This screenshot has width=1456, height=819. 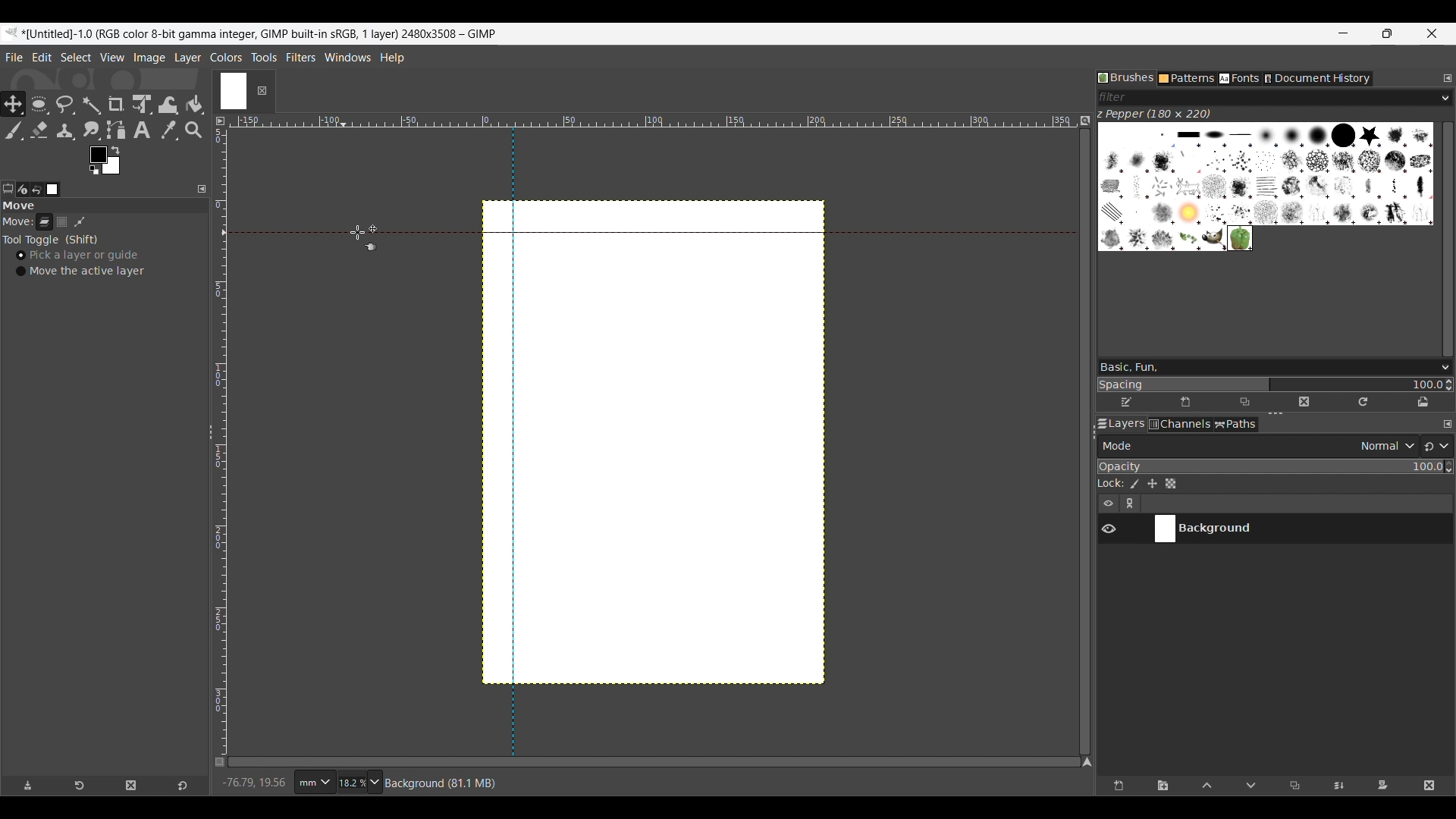 What do you see at coordinates (1164, 786) in the screenshot?
I see `Create a new layer group` at bounding box center [1164, 786].